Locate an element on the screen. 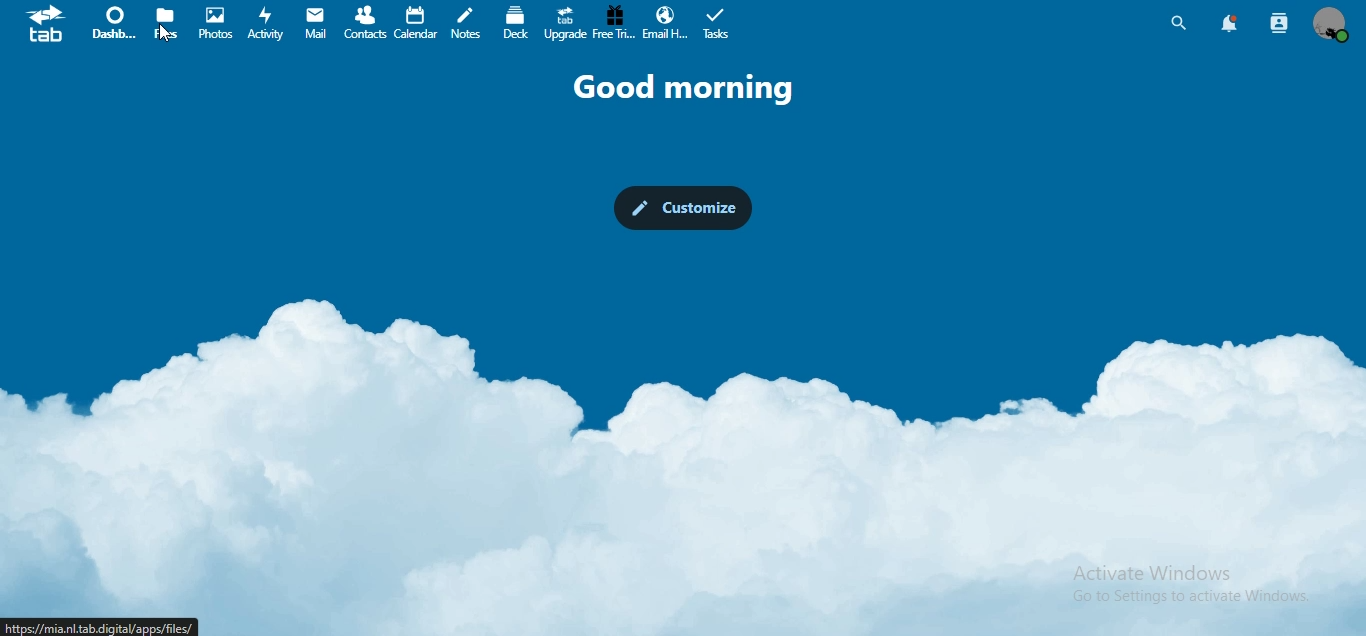  photos is located at coordinates (219, 23).